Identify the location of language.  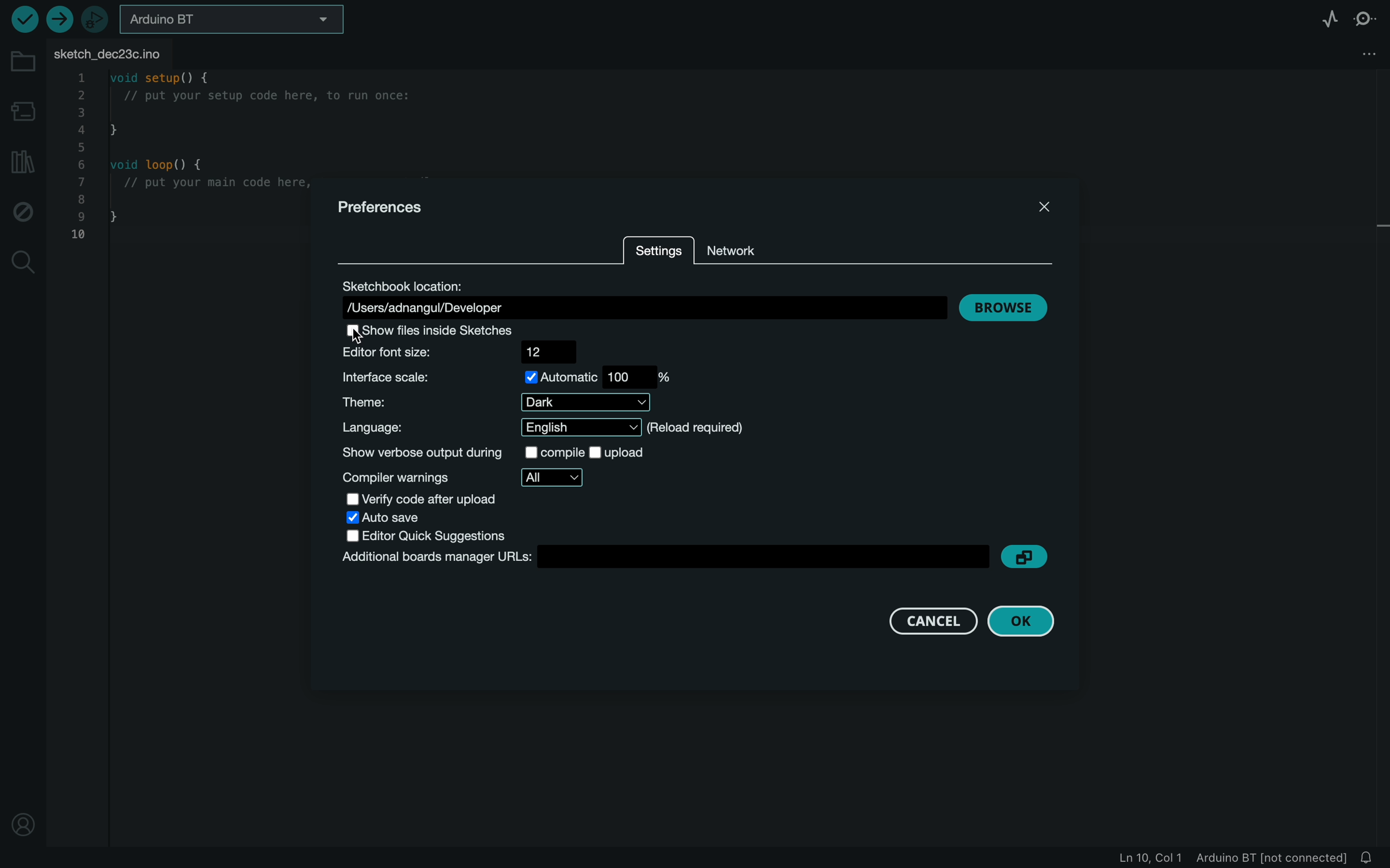
(539, 428).